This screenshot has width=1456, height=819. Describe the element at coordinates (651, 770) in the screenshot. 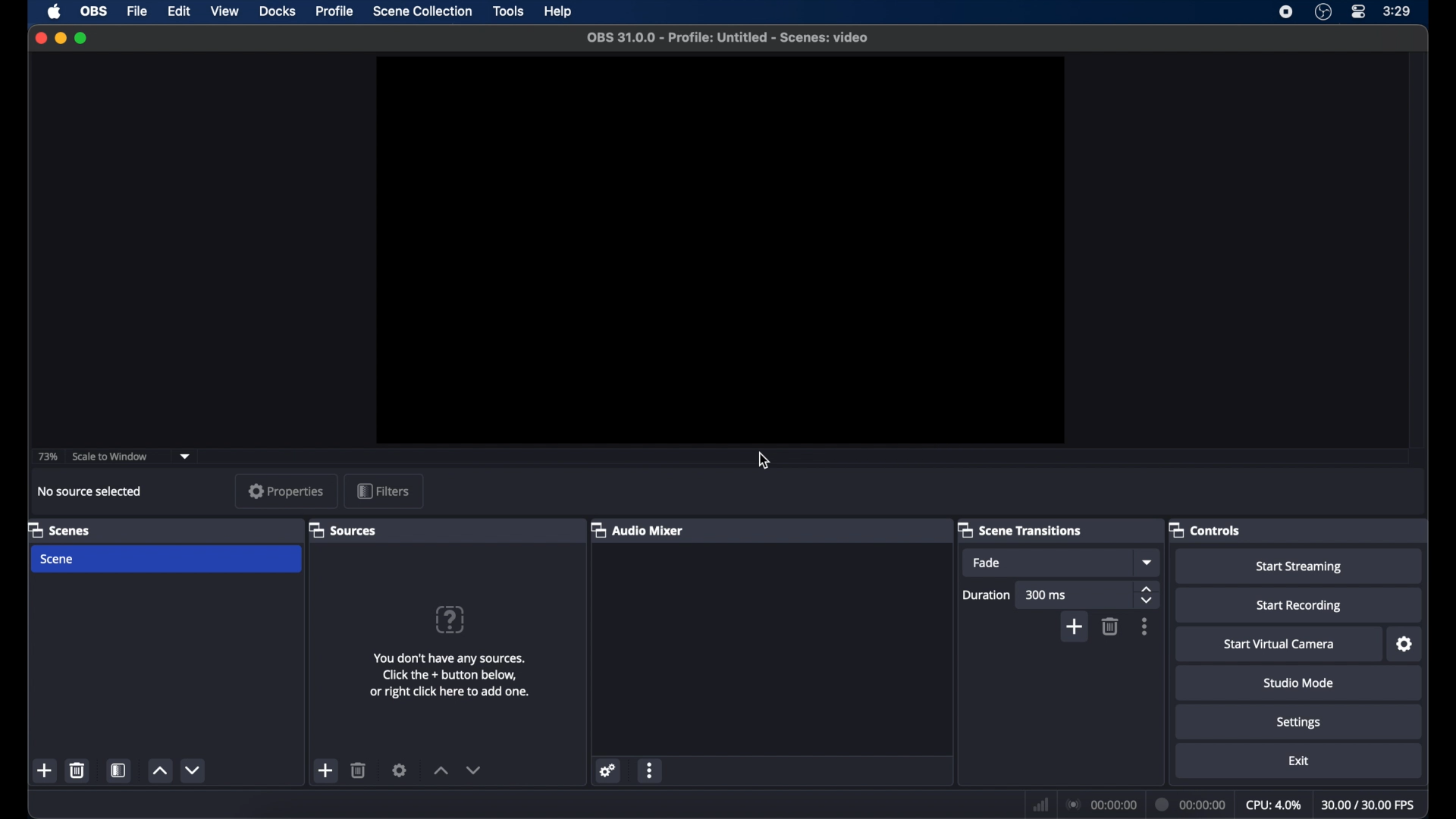

I see `more options` at that location.